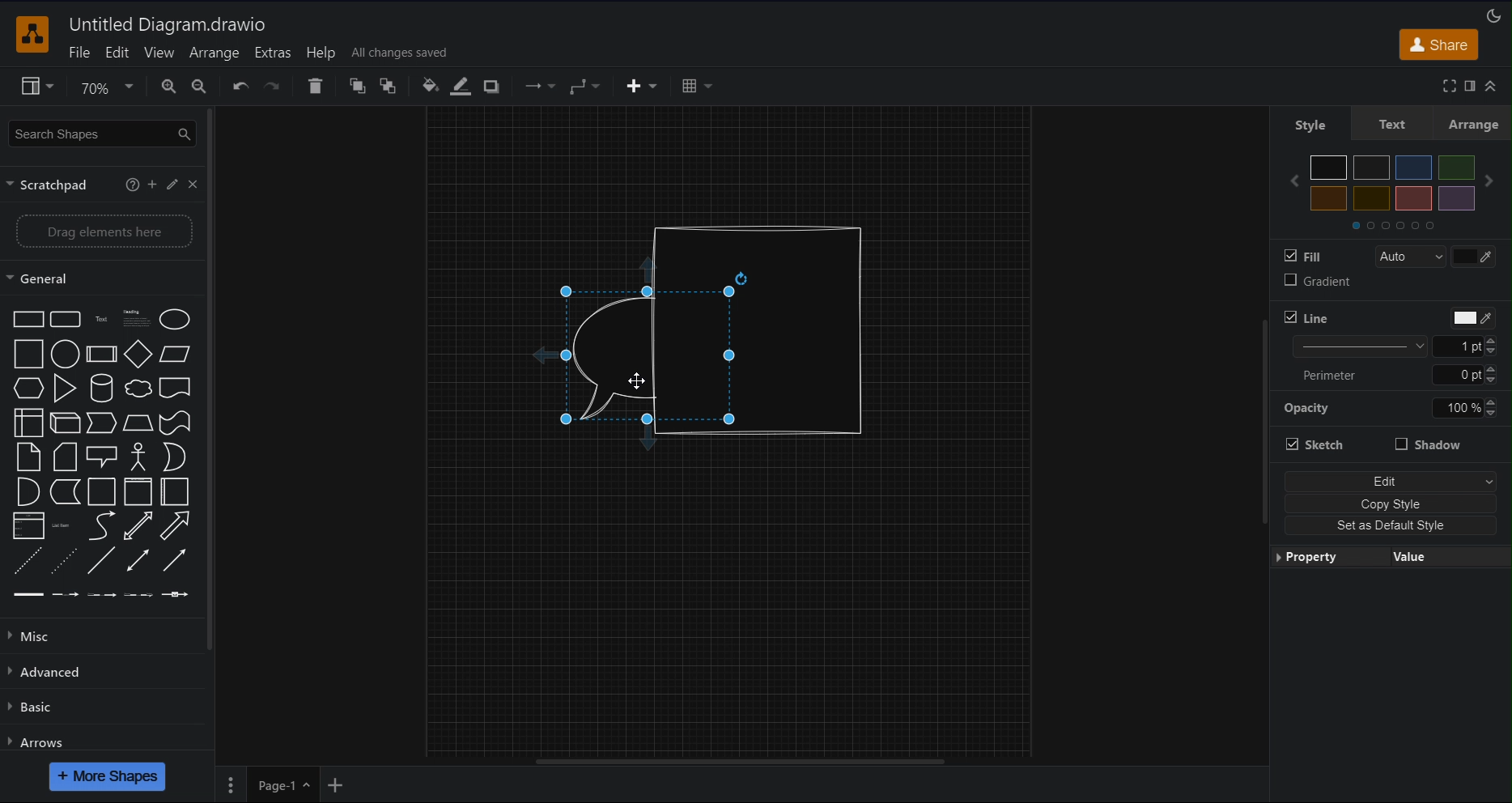 The width and height of the screenshot is (1512, 803). What do you see at coordinates (215, 53) in the screenshot?
I see `Arrange` at bounding box center [215, 53].